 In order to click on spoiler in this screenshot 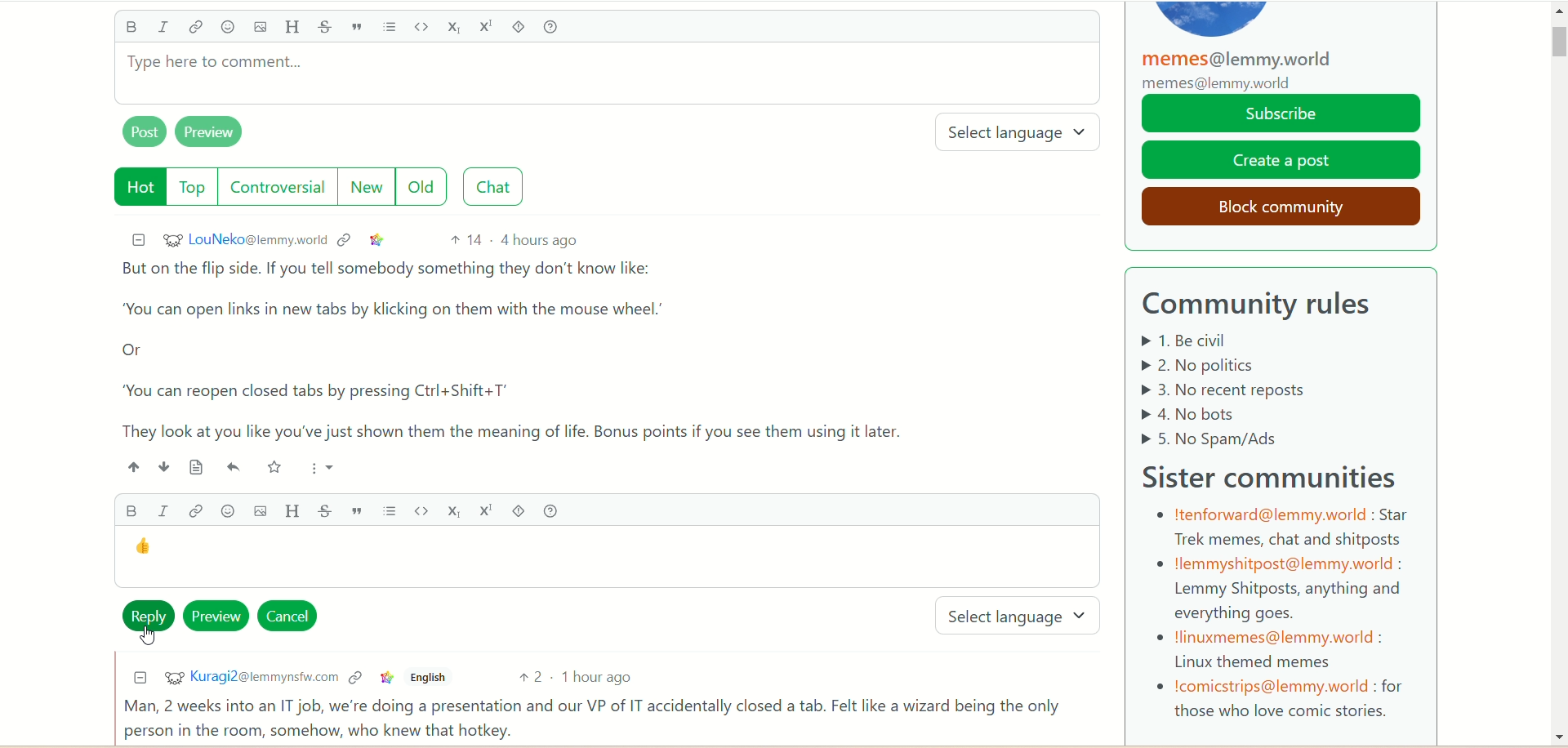, I will do `click(516, 510)`.